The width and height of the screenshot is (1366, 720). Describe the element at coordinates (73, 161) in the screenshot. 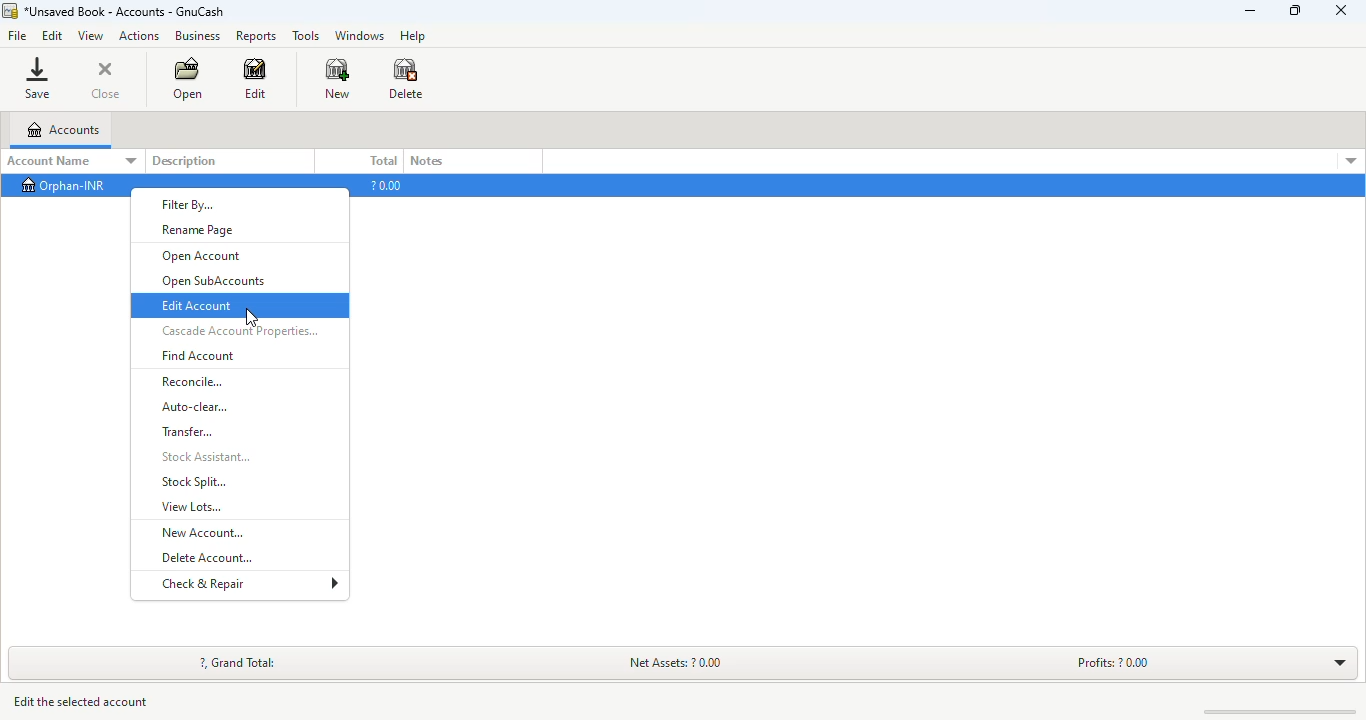

I see `account name` at that location.